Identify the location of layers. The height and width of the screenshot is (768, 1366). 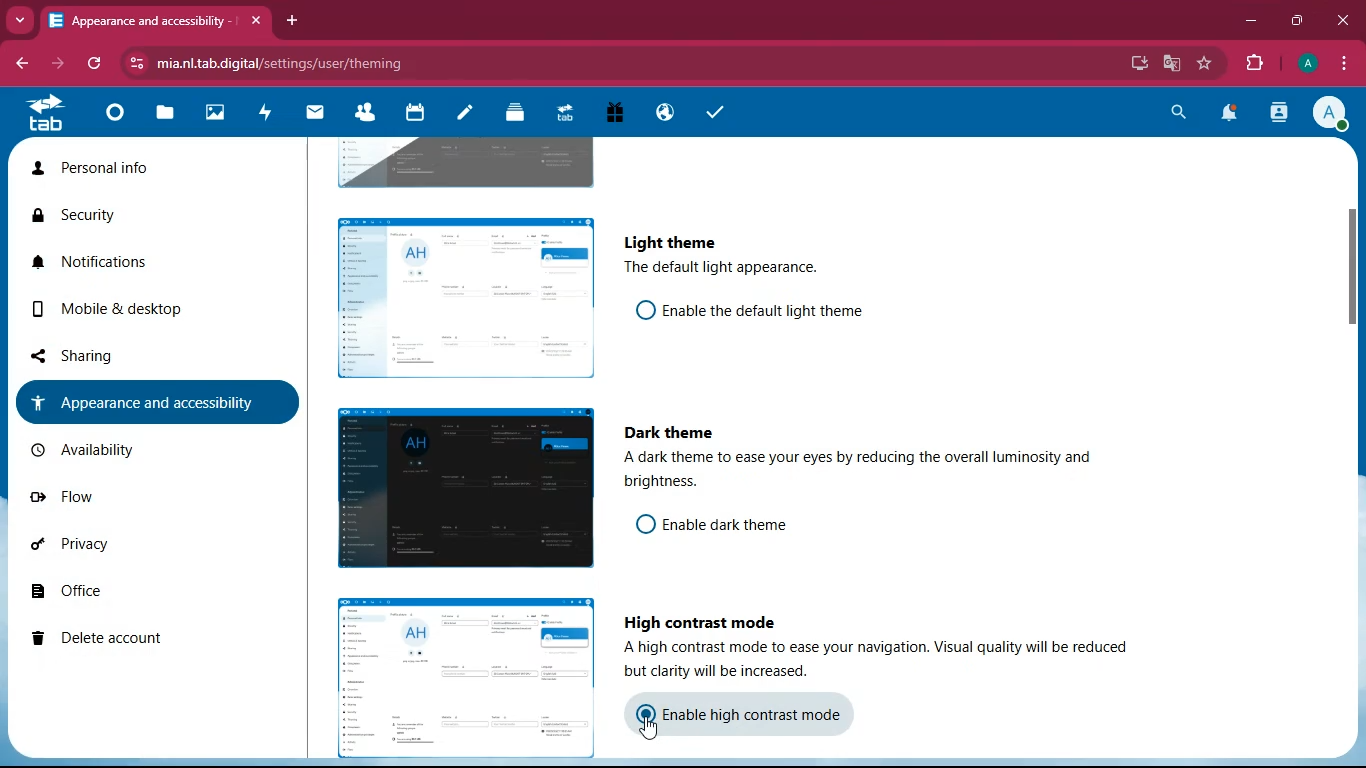
(511, 115).